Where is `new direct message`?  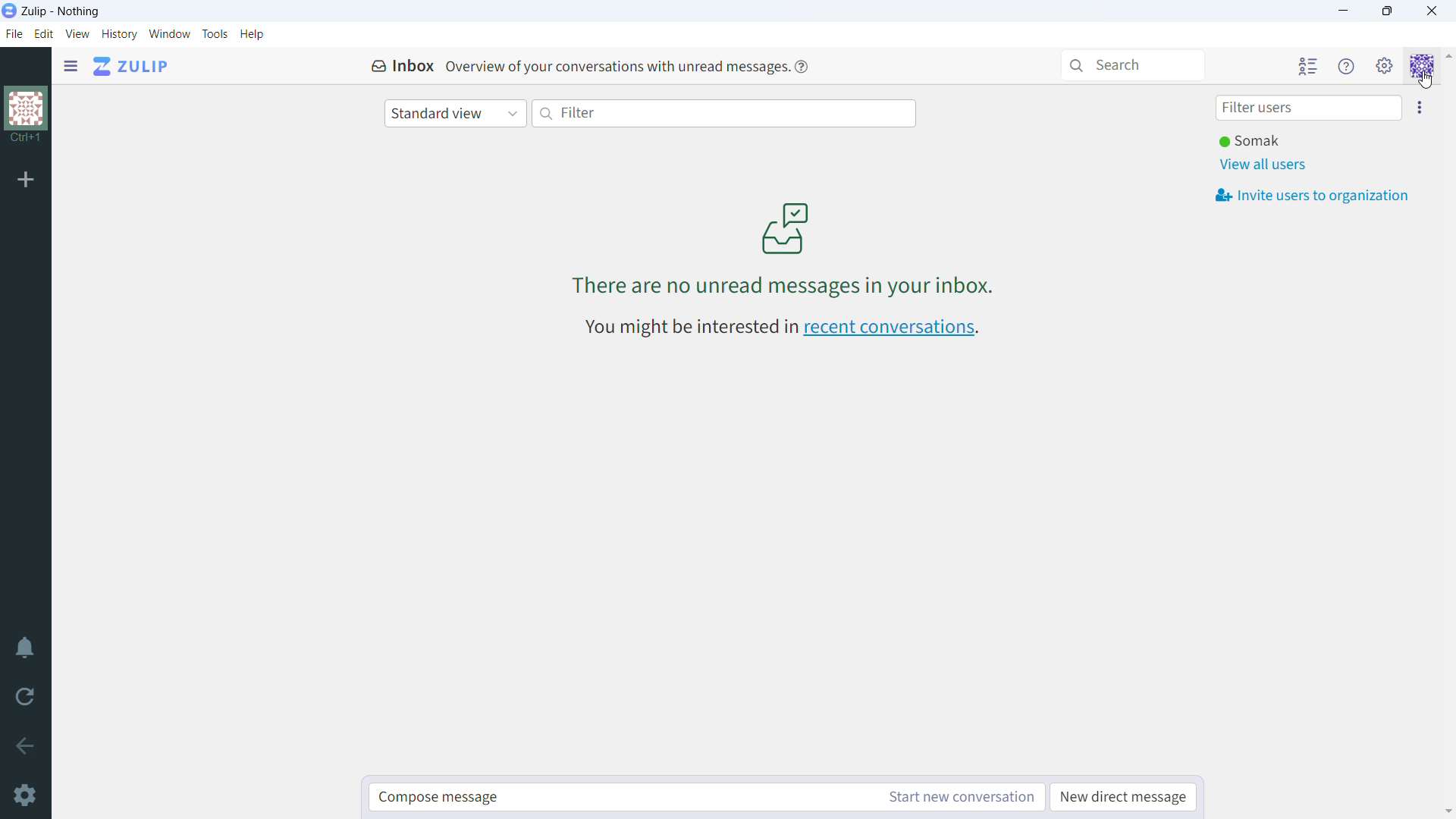 new direct message is located at coordinates (1122, 798).